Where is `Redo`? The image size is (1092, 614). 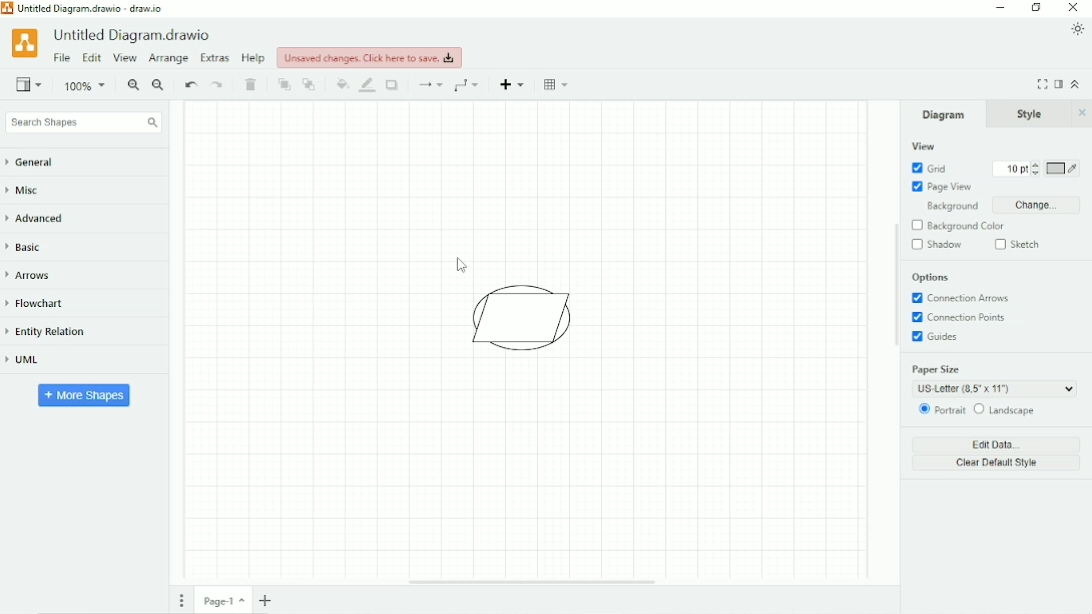 Redo is located at coordinates (218, 85).